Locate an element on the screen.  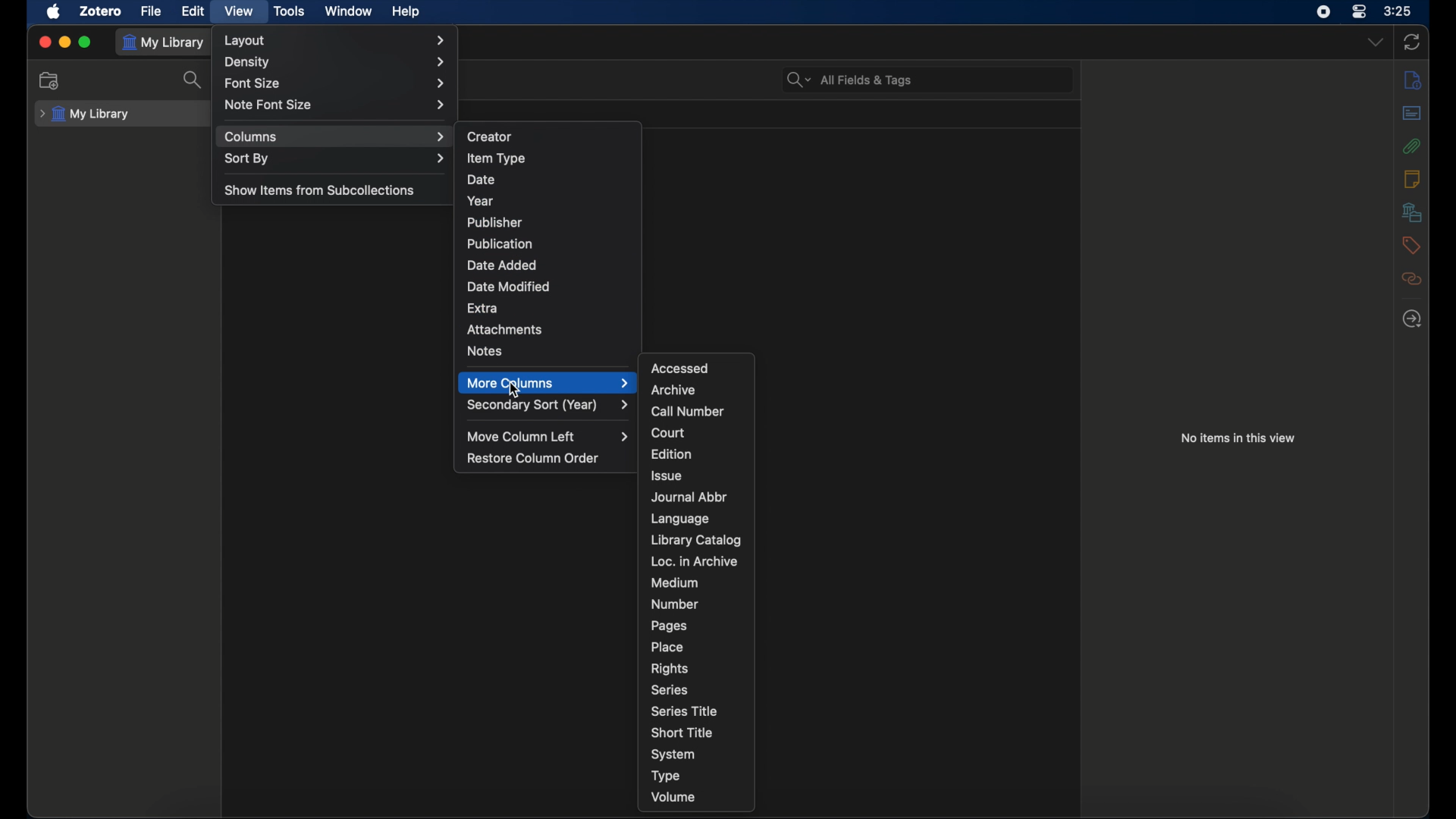
related is located at coordinates (1411, 278).